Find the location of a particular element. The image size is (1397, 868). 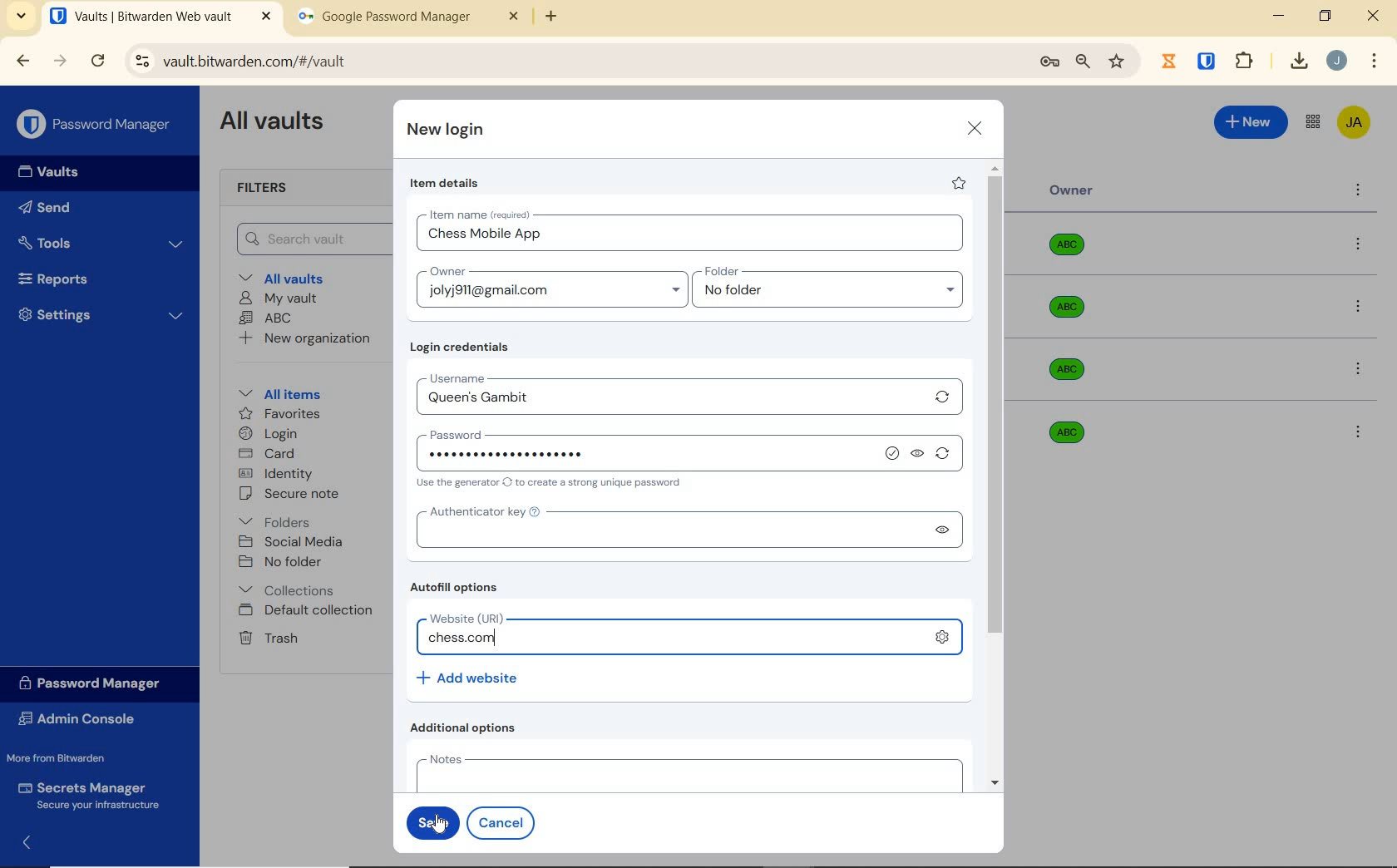

Owner organization is located at coordinates (1073, 251).